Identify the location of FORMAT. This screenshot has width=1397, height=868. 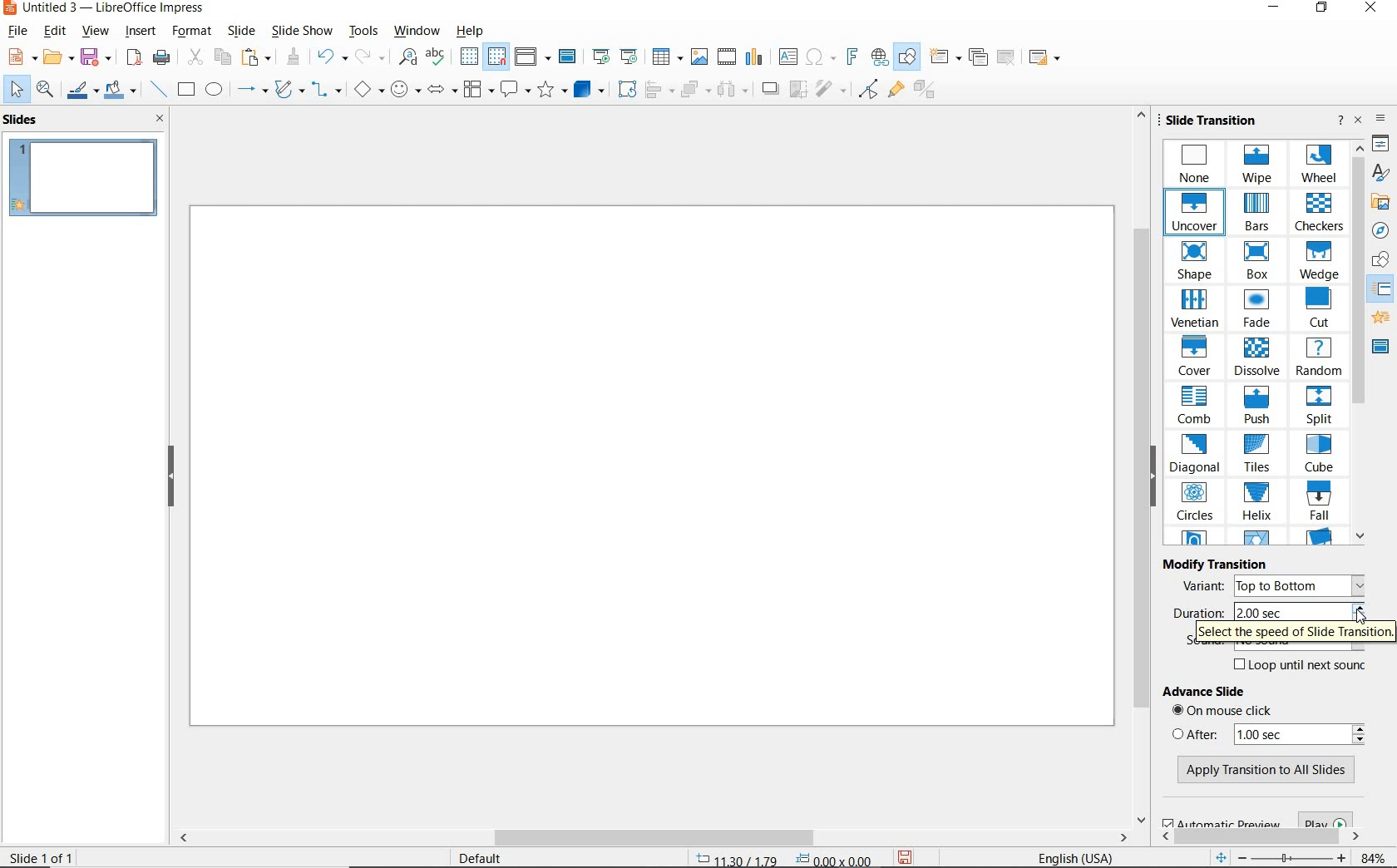
(194, 31).